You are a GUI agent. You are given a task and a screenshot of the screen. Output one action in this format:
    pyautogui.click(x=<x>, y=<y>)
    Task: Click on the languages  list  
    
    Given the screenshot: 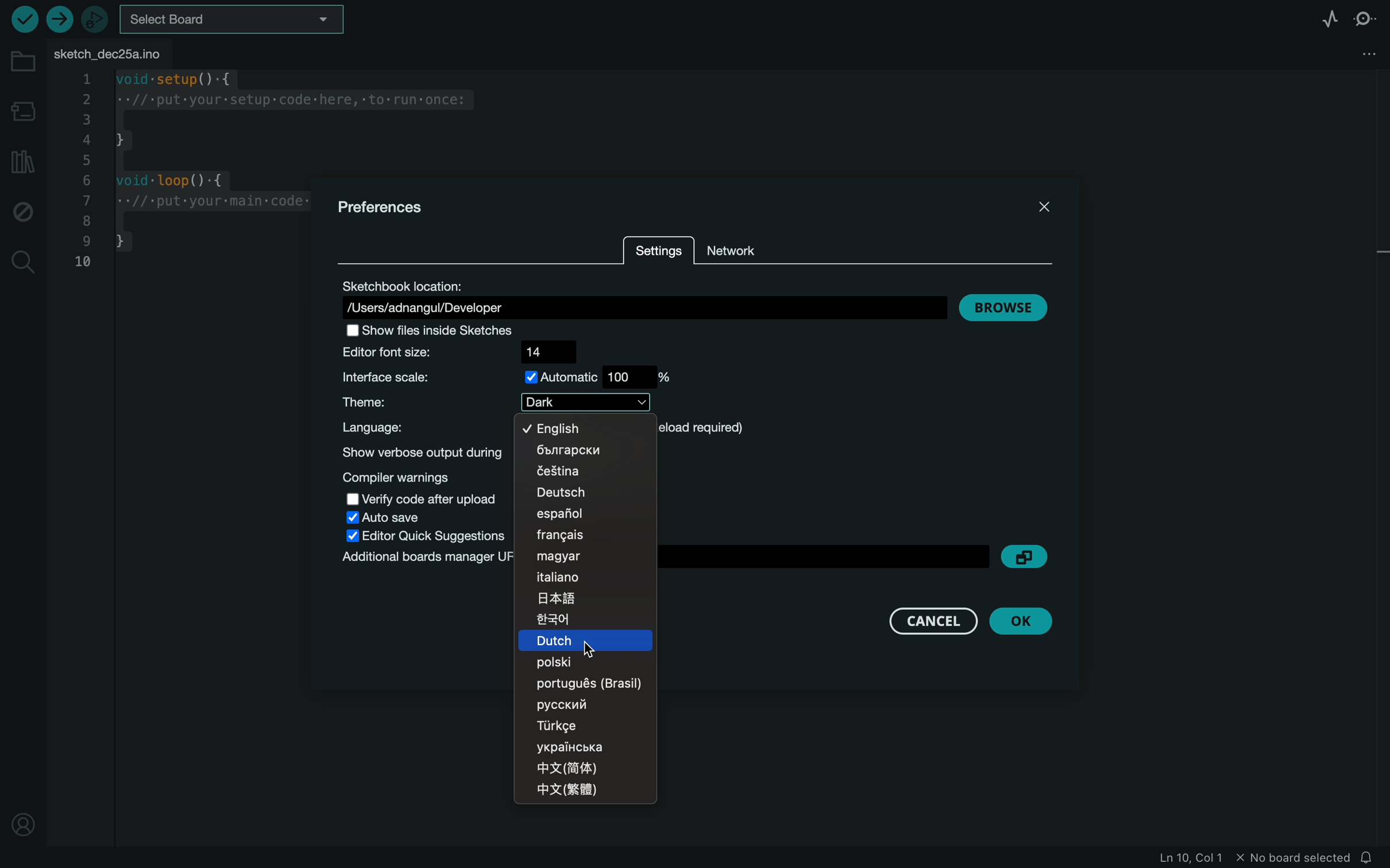 What is the action you would take?
    pyautogui.click(x=585, y=613)
    